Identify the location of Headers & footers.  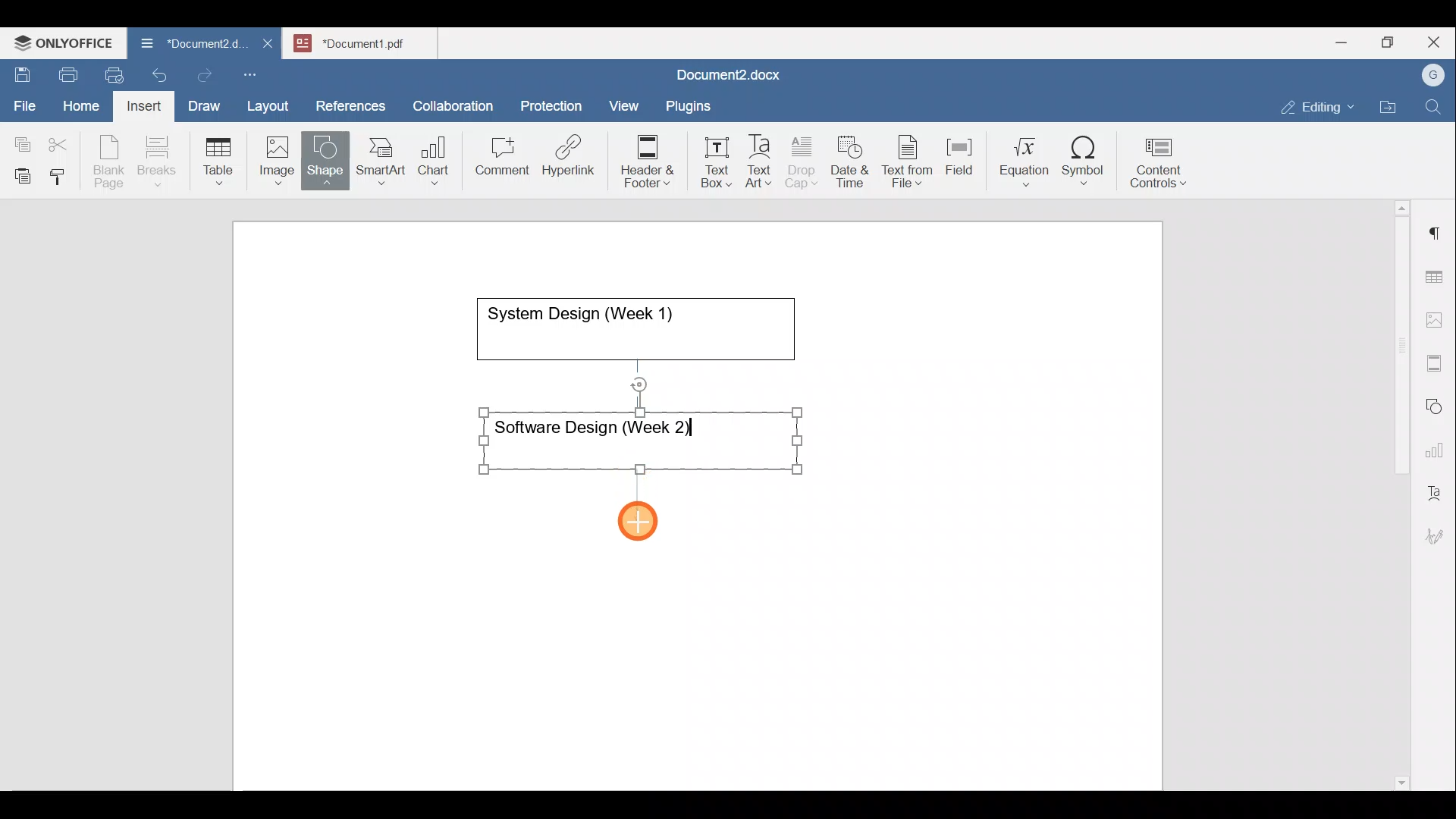
(1437, 359).